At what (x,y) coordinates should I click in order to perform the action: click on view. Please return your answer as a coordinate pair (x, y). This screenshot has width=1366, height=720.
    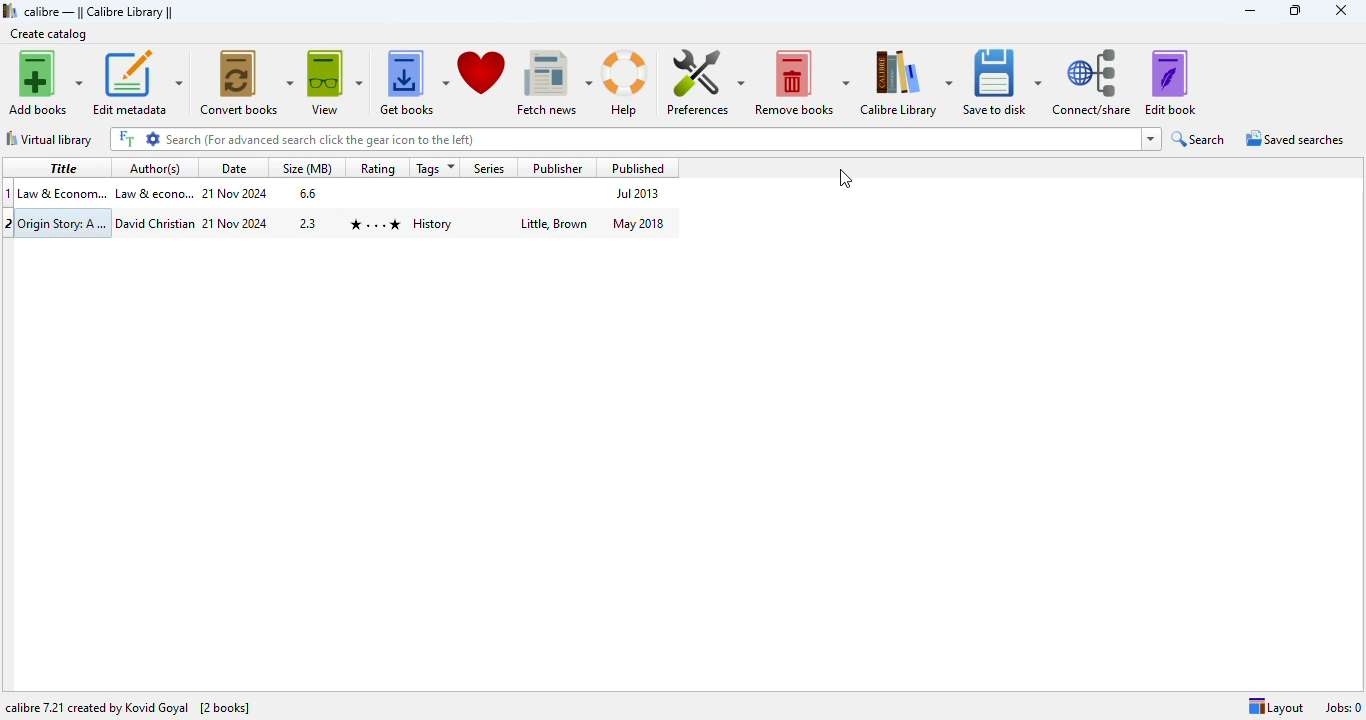
    Looking at the image, I should click on (336, 81).